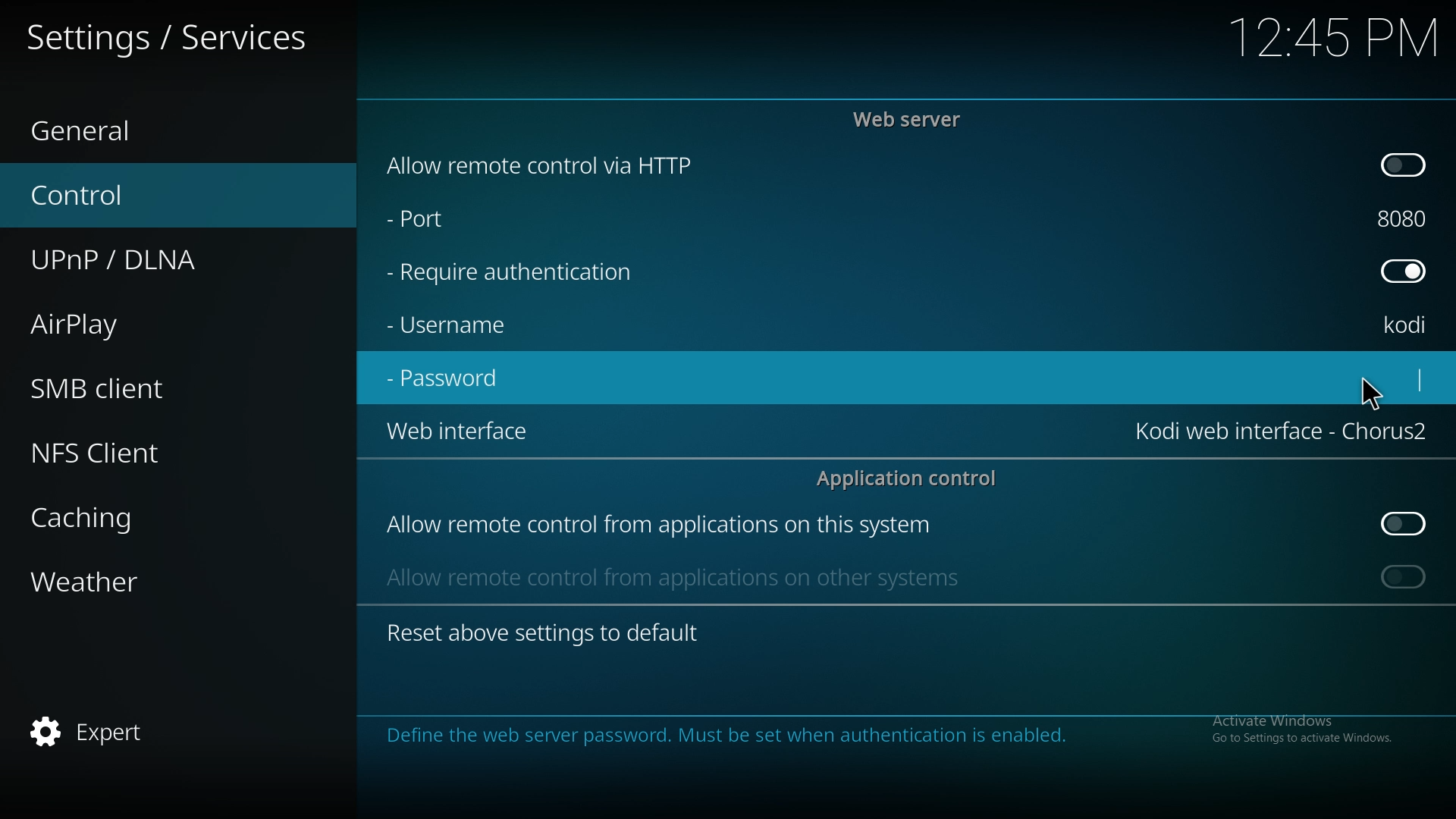 Image resolution: width=1456 pixels, height=819 pixels. Describe the element at coordinates (138, 585) in the screenshot. I see `weather` at that location.